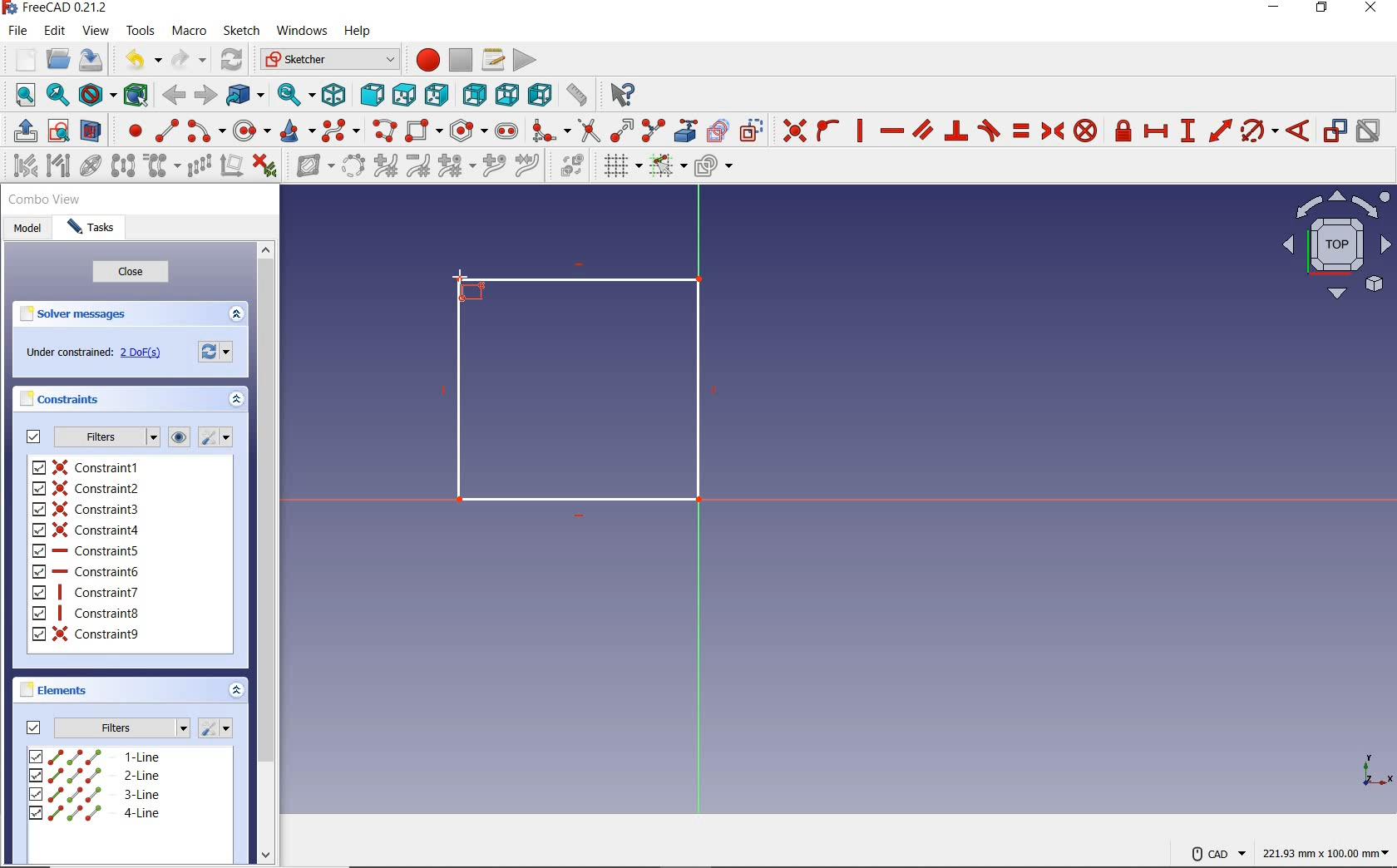 This screenshot has height=868, width=1397. Describe the element at coordinates (622, 131) in the screenshot. I see `extend edge` at that location.